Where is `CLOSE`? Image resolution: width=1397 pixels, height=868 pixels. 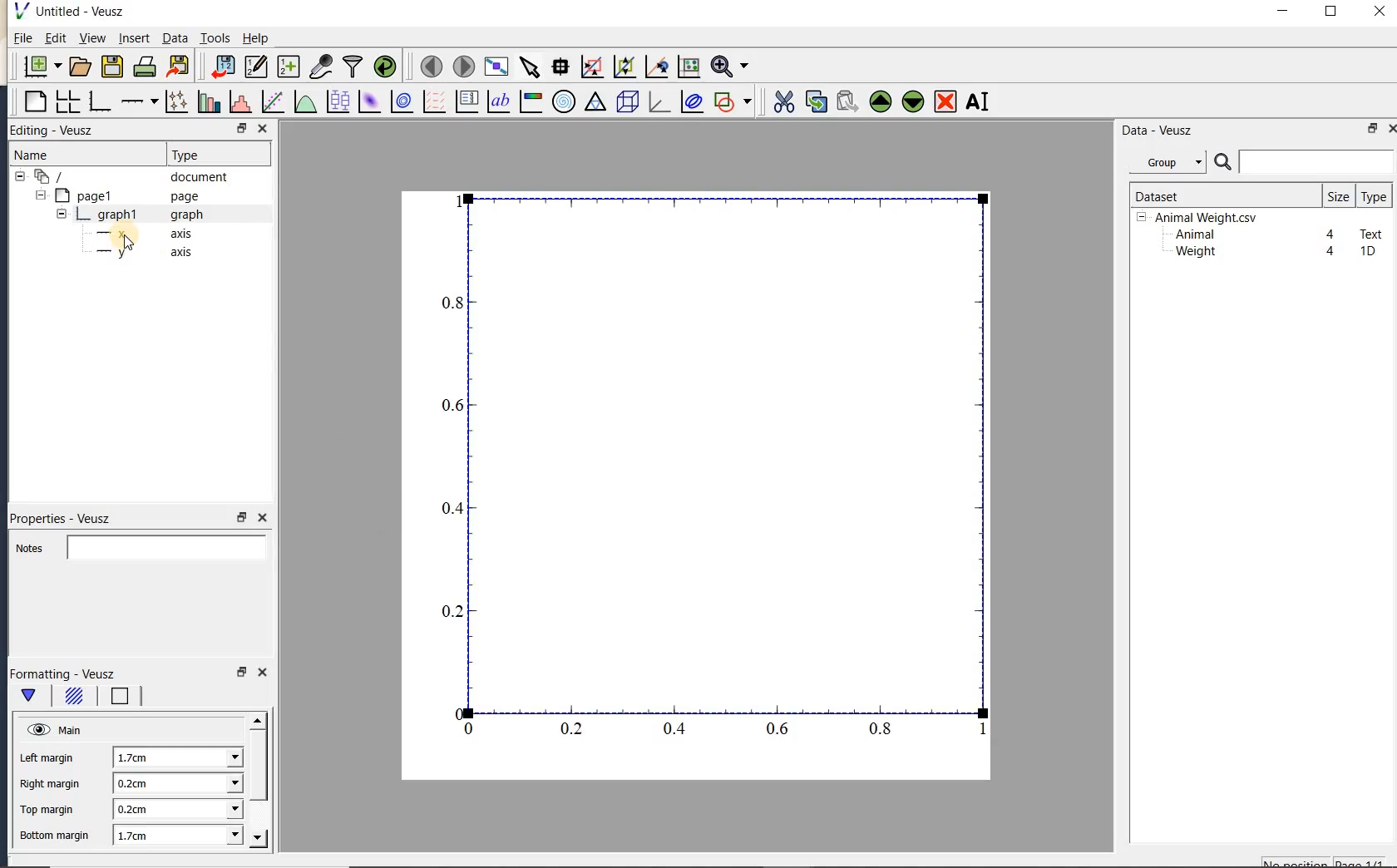
CLOSE is located at coordinates (262, 128).